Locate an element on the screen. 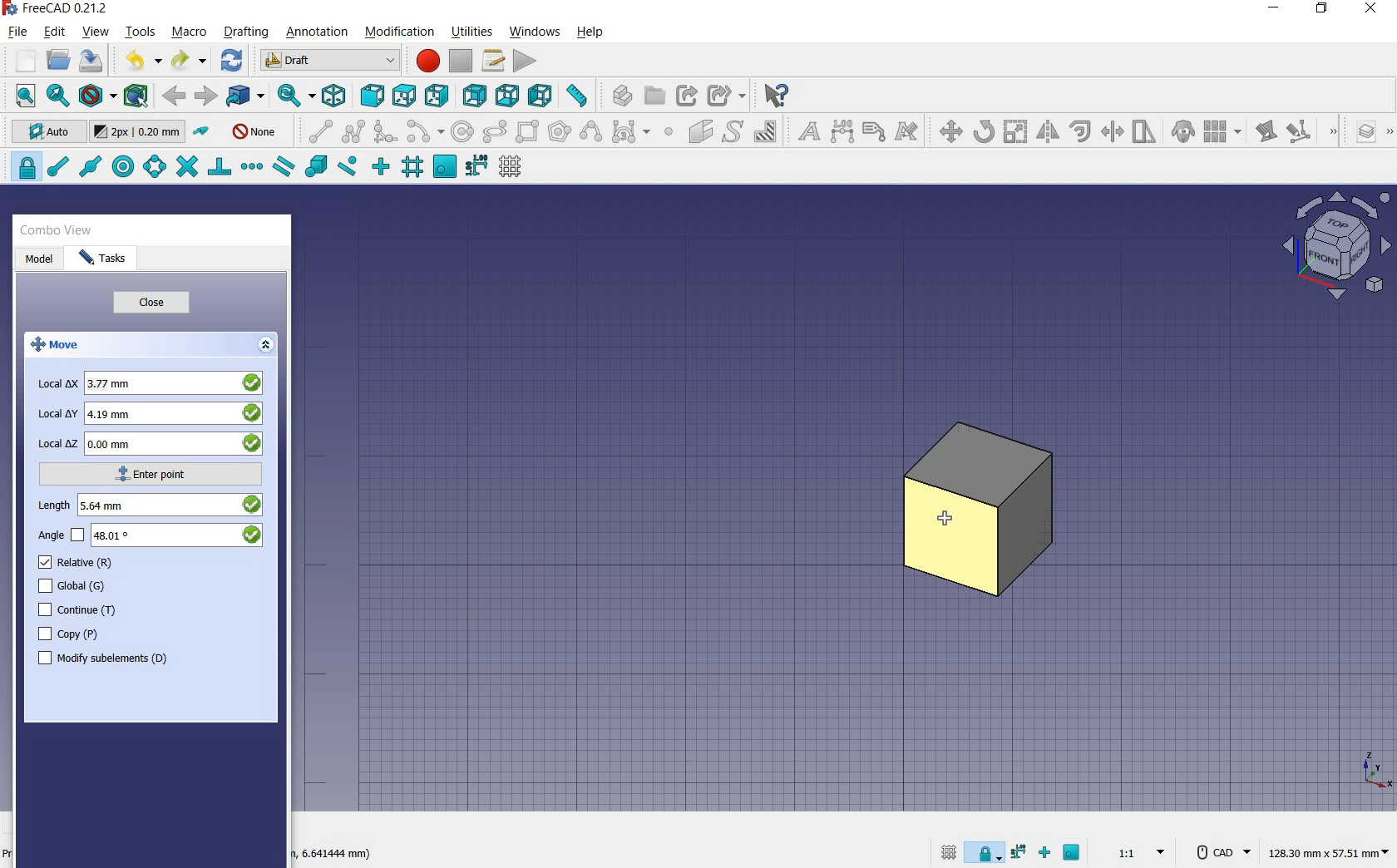  local y is located at coordinates (152, 412).